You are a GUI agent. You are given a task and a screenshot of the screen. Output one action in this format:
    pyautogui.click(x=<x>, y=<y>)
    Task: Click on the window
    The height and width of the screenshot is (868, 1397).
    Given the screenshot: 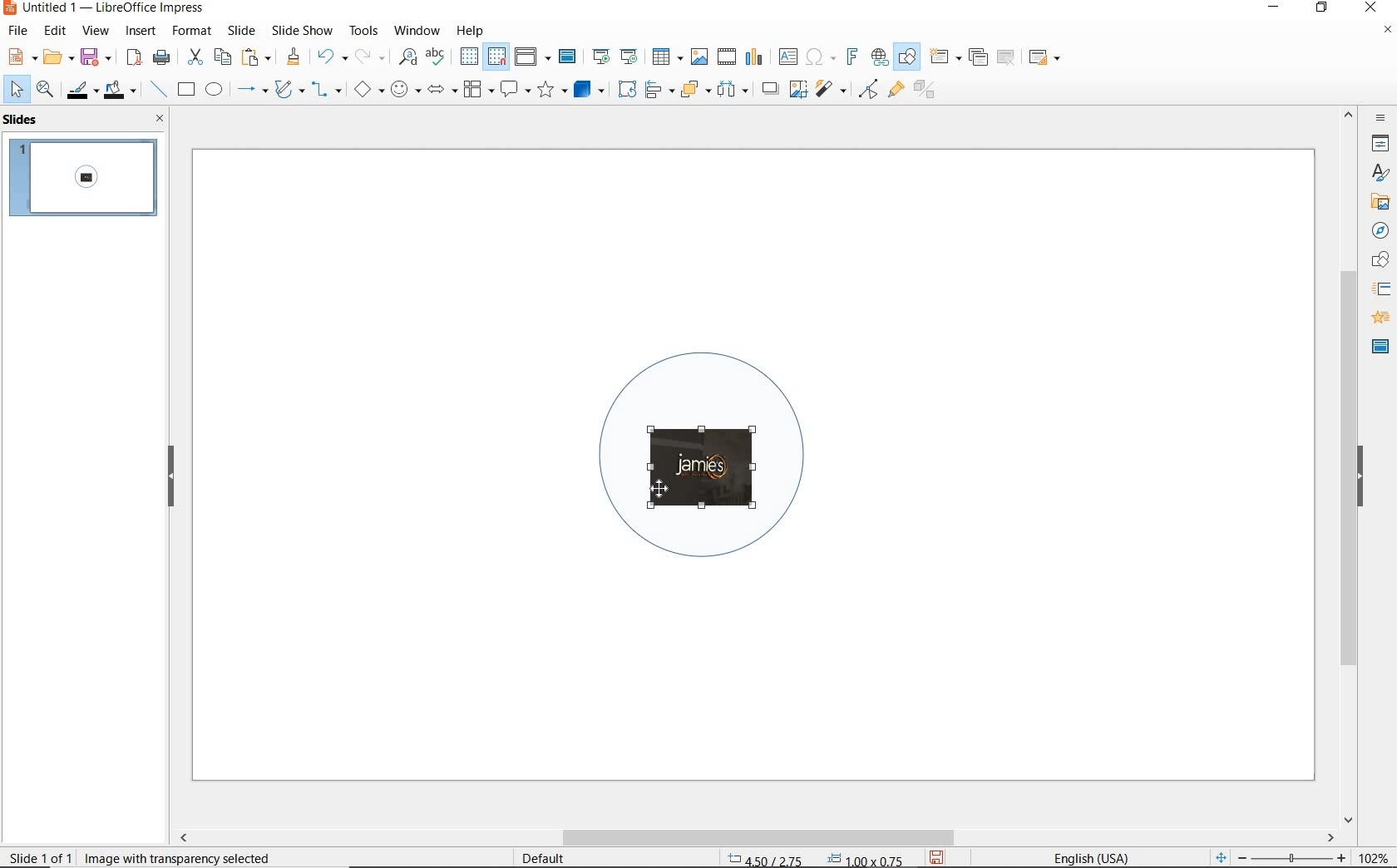 What is the action you would take?
    pyautogui.click(x=417, y=29)
    